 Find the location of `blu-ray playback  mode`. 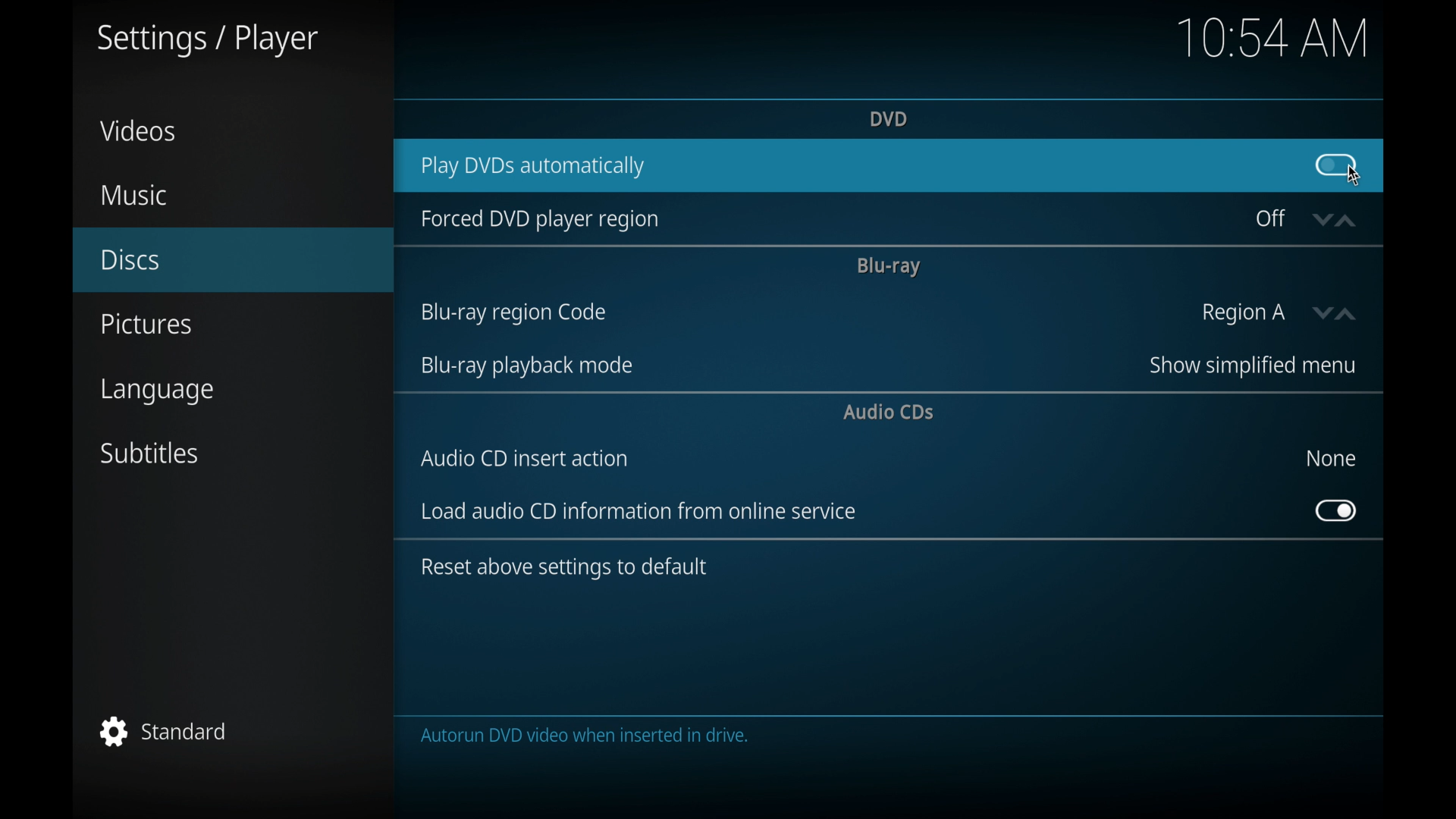

blu-ray playback  mode is located at coordinates (525, 366).